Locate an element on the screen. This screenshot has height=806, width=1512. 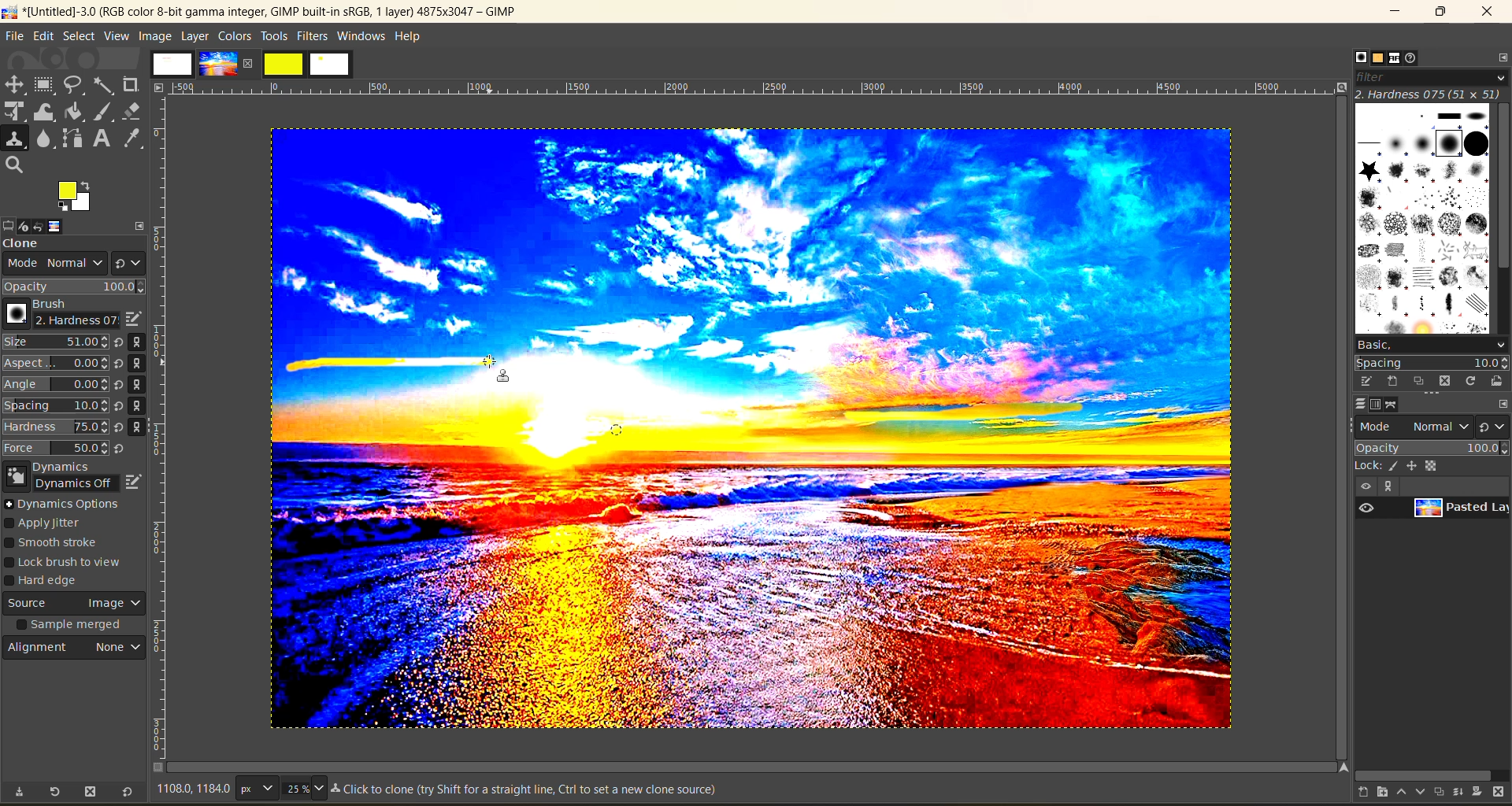
patterns is located at coordinates (1376, 59).